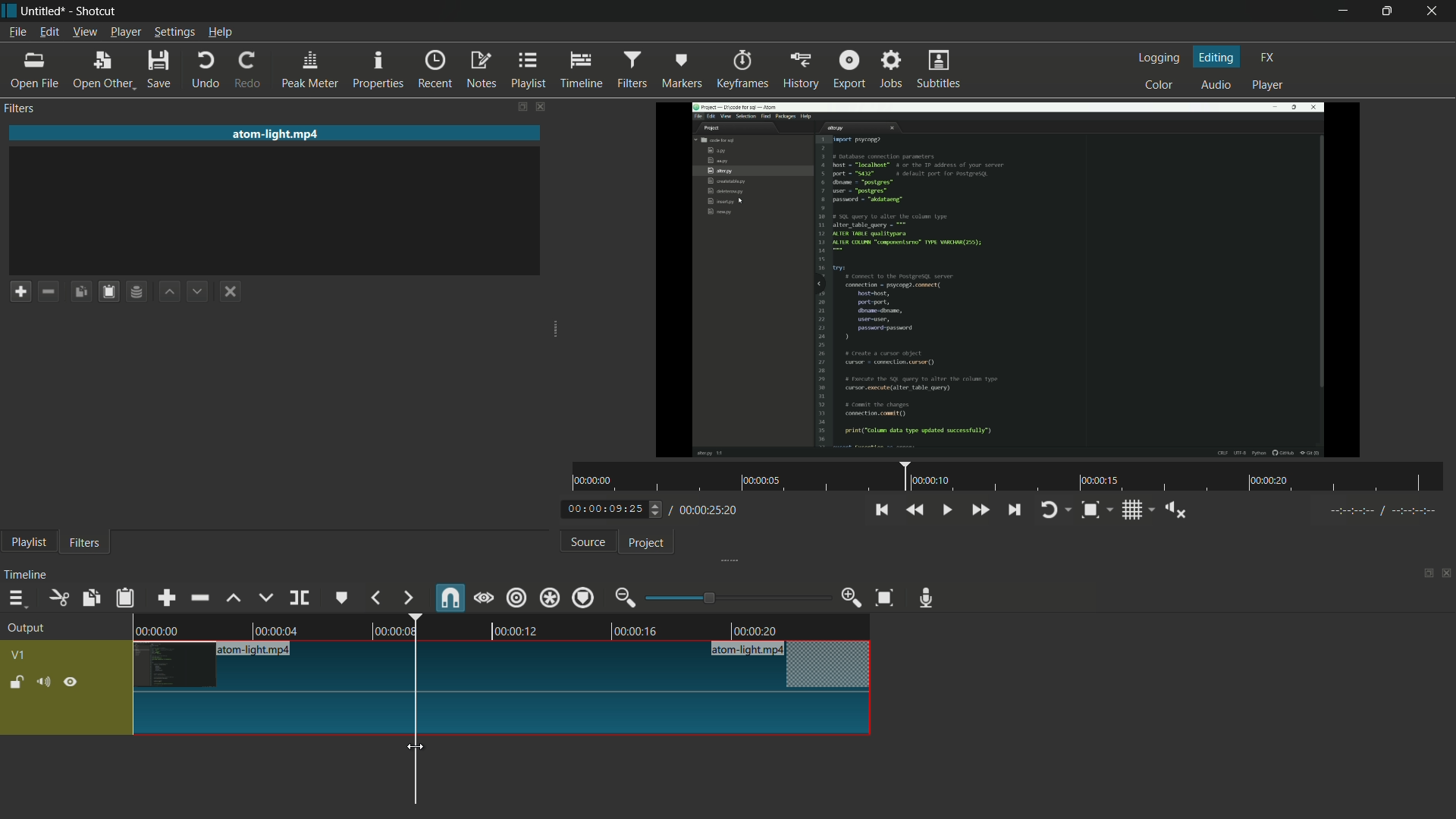 Image resolution: width=1456 pixels, height=819 pixels. I want to click on v1, so click(17, 655).